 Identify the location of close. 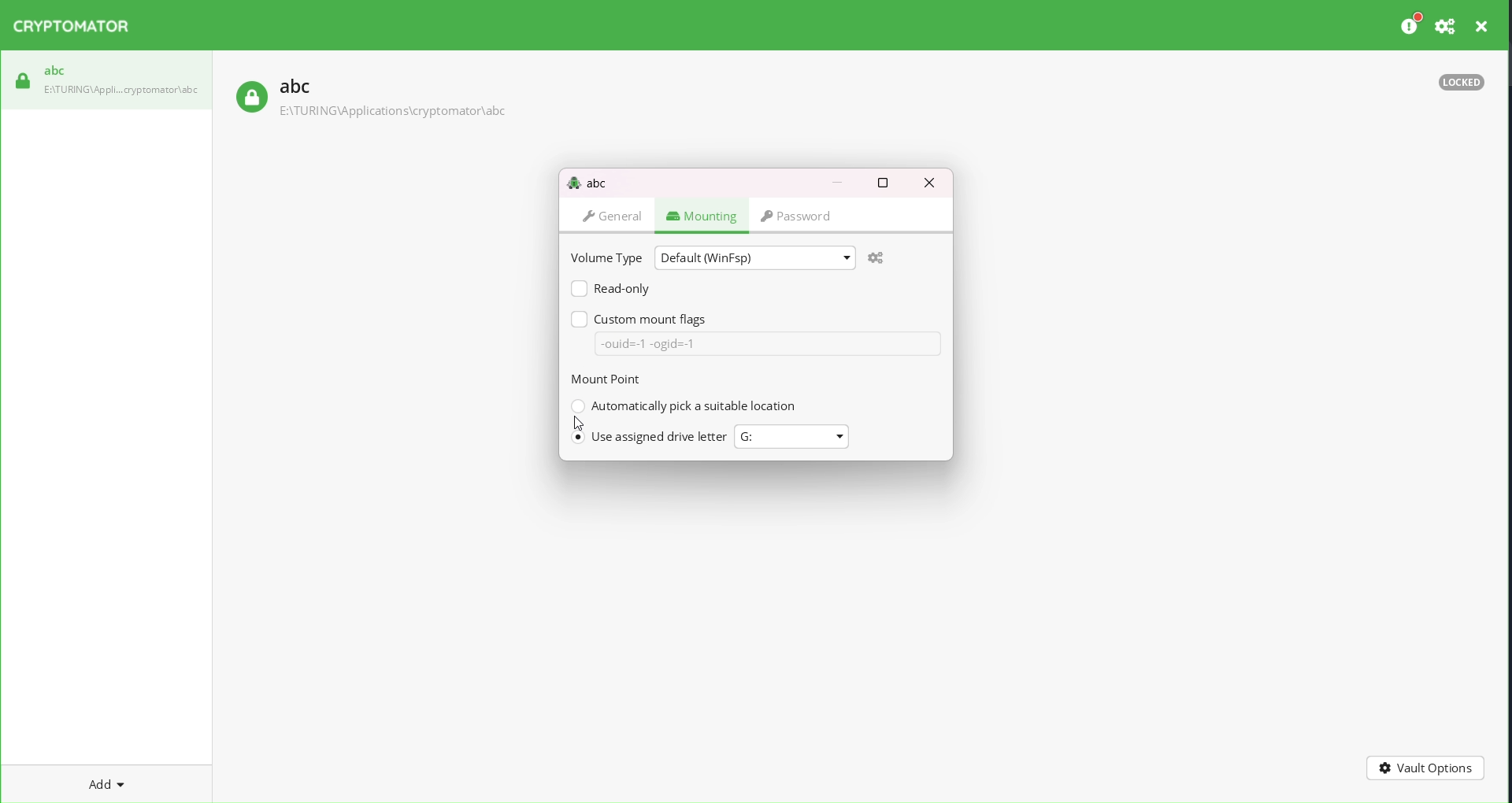
(1483, 26).